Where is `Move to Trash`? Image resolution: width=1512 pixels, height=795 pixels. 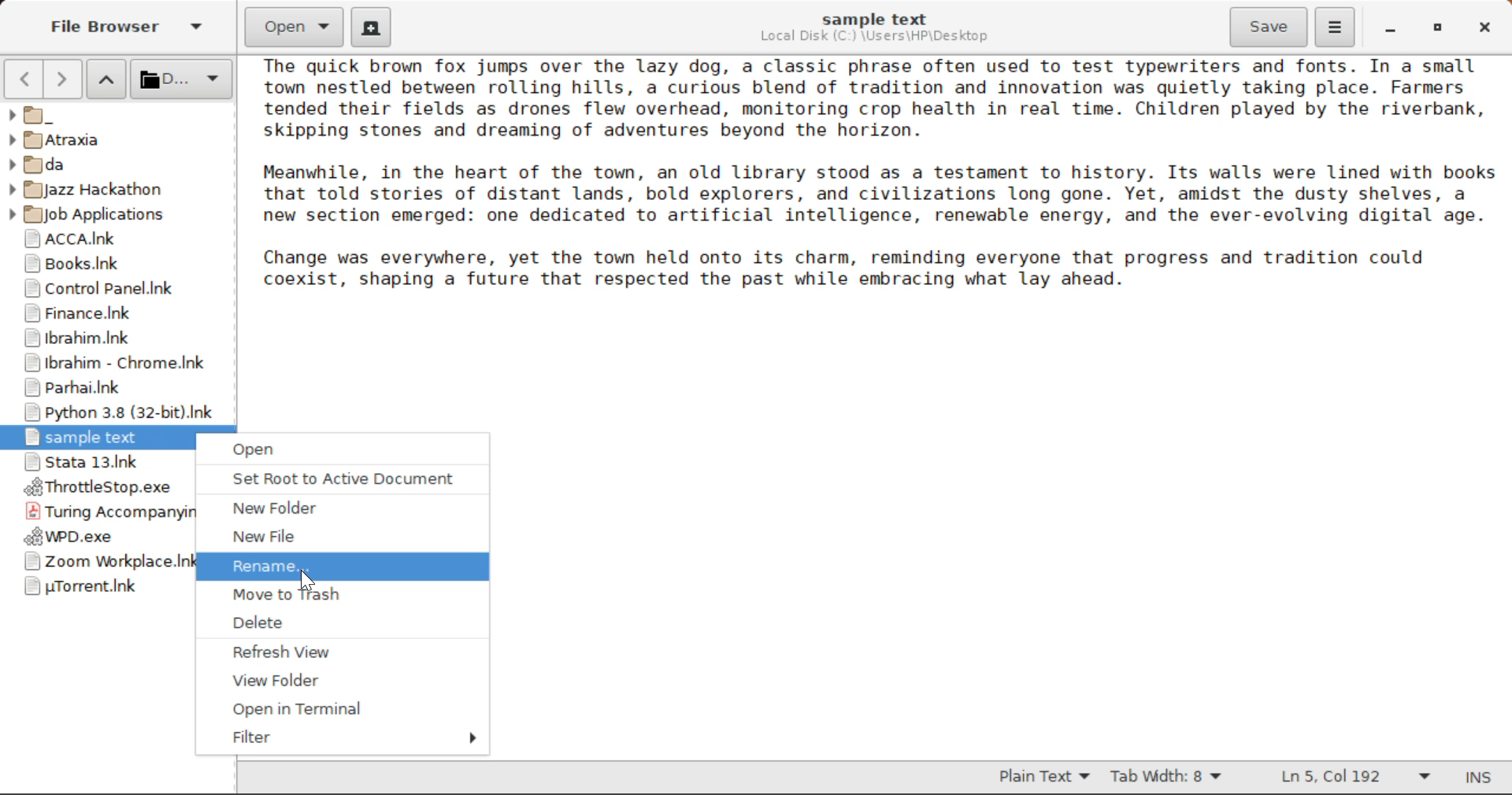
Move to Trash is located at coordinates (339, 597).